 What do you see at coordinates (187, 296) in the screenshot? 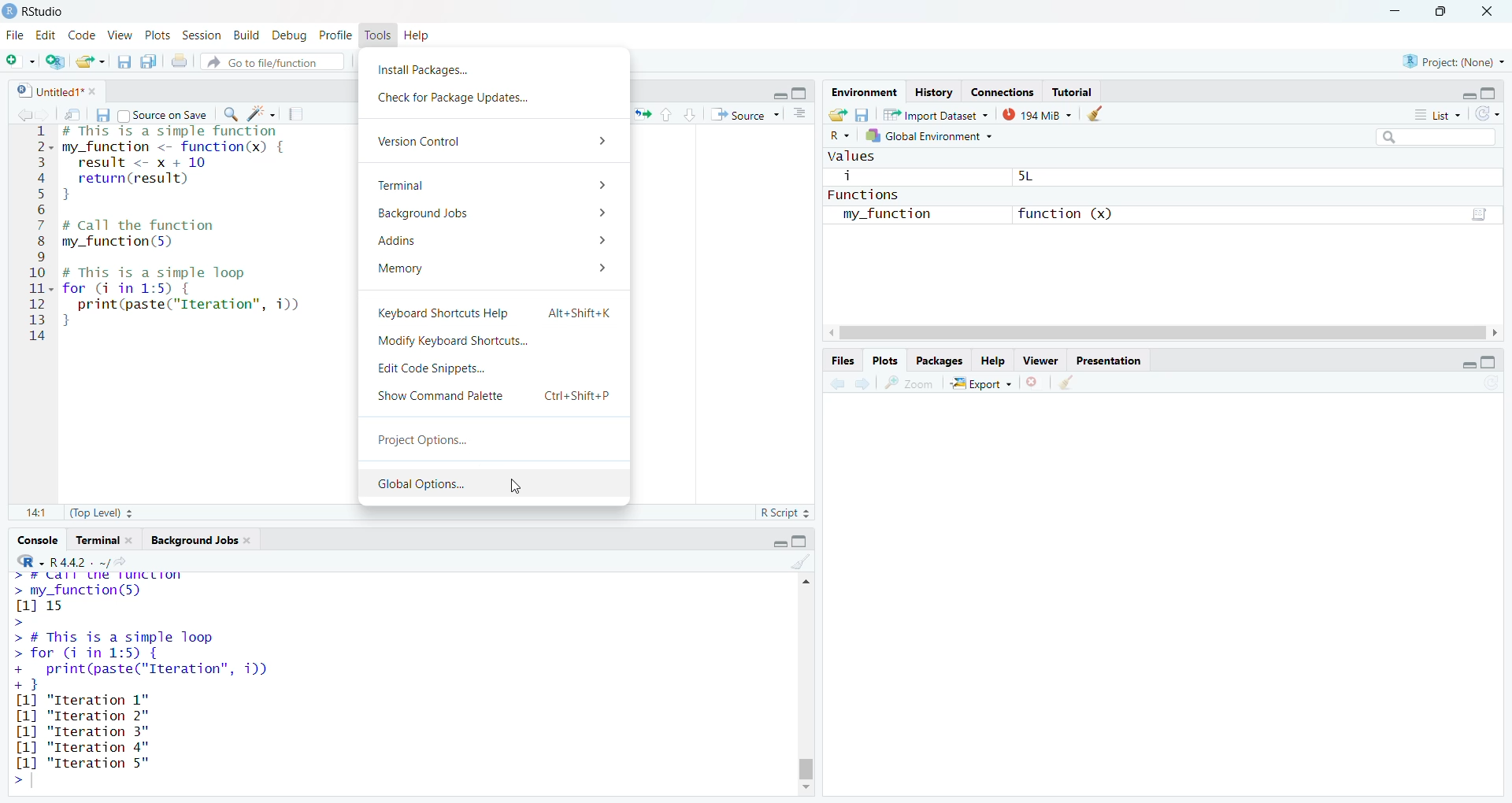
I see `code of a simple loop` at bounding box center [187, 296].